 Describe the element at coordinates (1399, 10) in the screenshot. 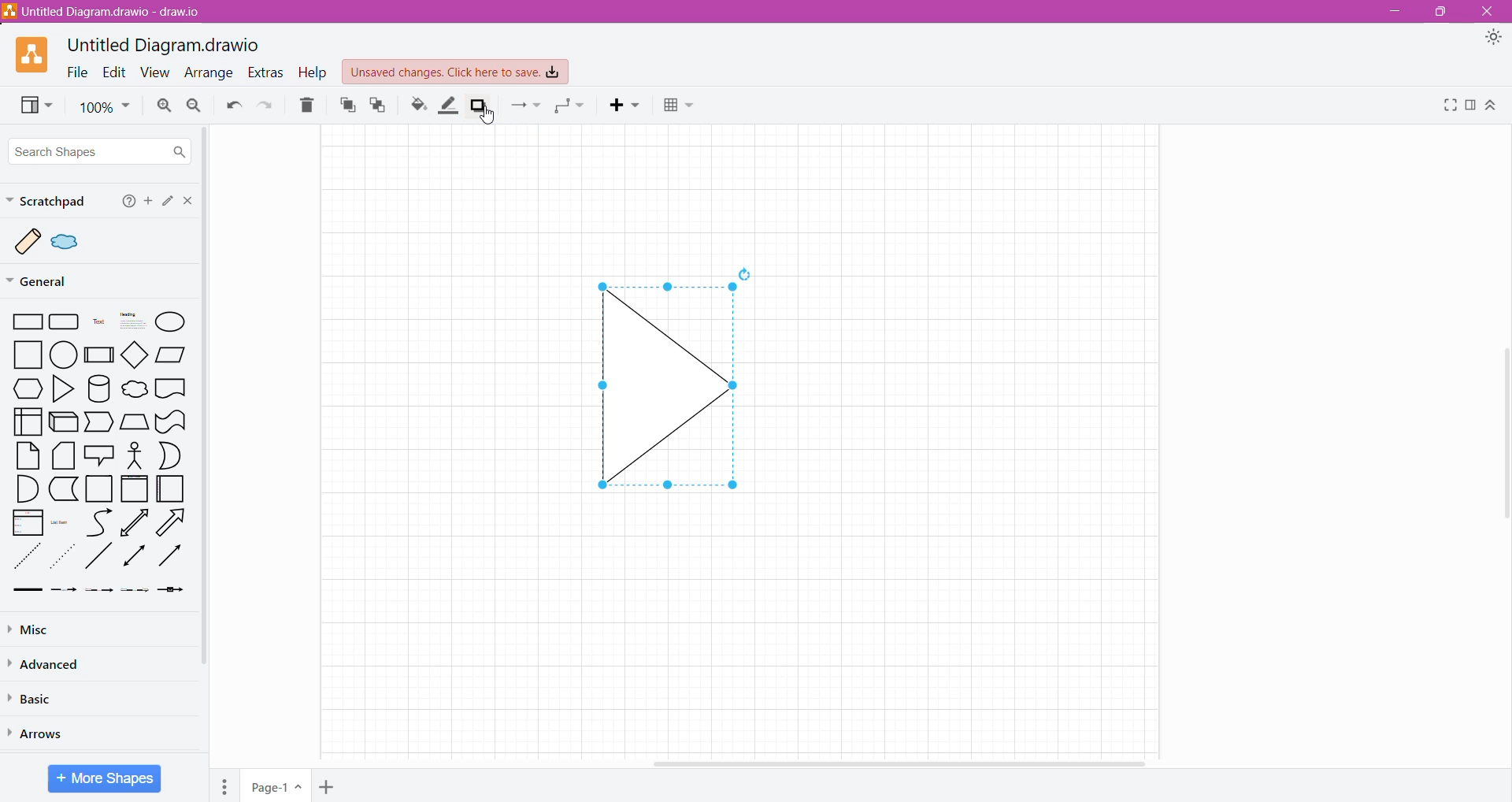

I see `Minimize` at that location.